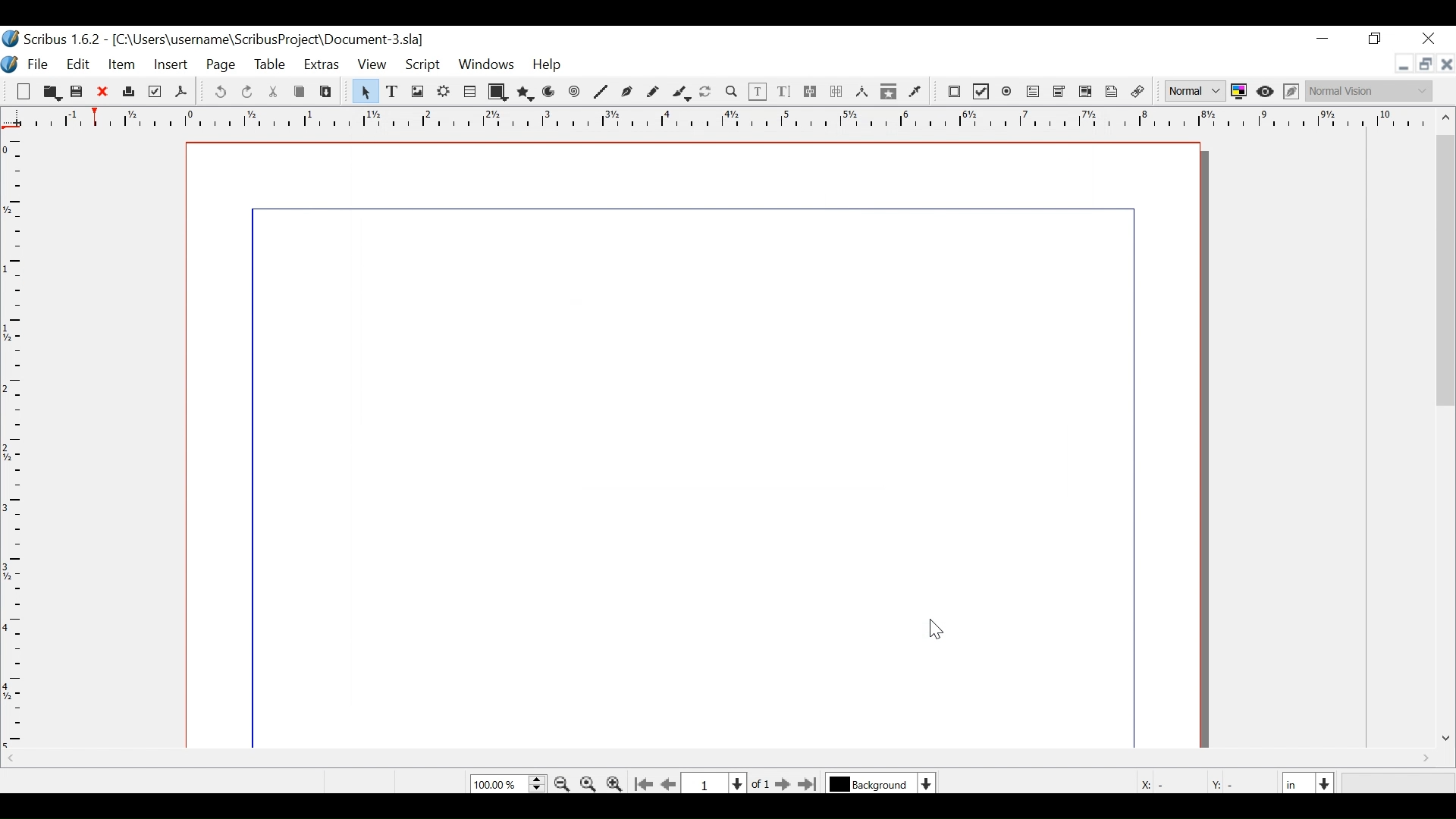 The width and height of the screenshot is (1456, 819). Describe the element at coordinates (325, 93) in the screenshot. I see `Paste` at that location.